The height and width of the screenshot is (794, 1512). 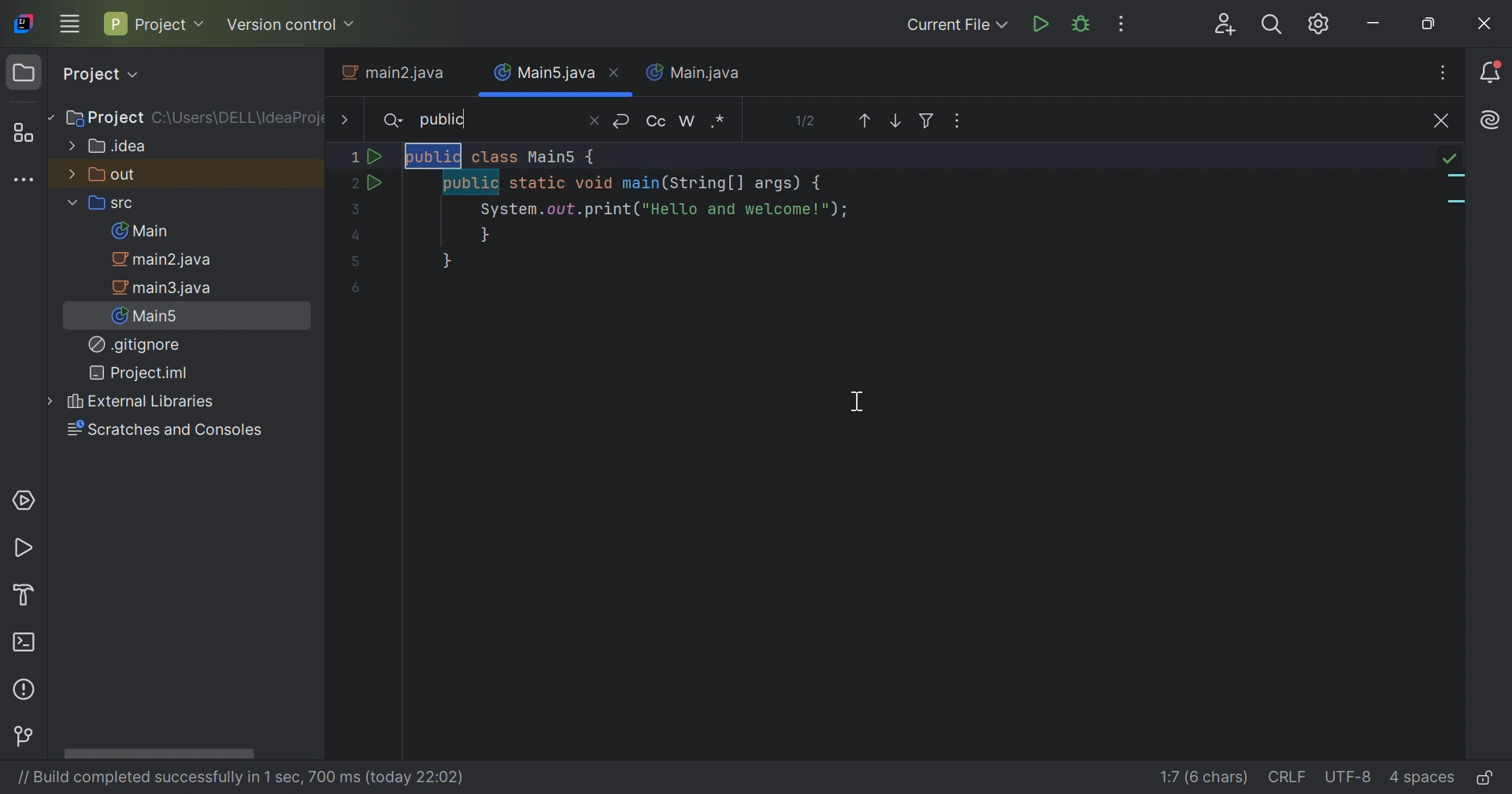 I want to click on .idea, so click(x=109, y=147).